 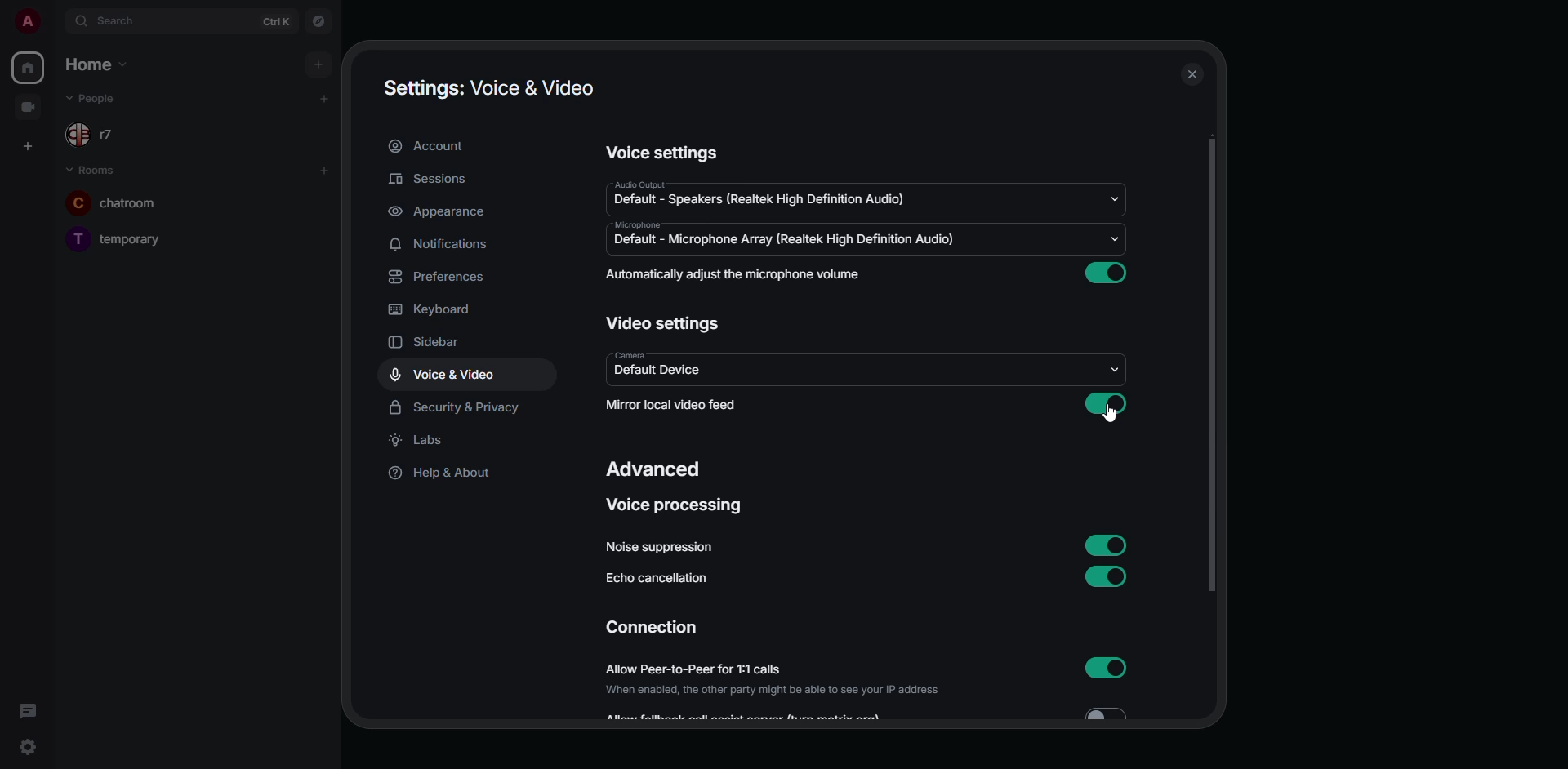 I want to click on notifications, so click(x=447, y=244).